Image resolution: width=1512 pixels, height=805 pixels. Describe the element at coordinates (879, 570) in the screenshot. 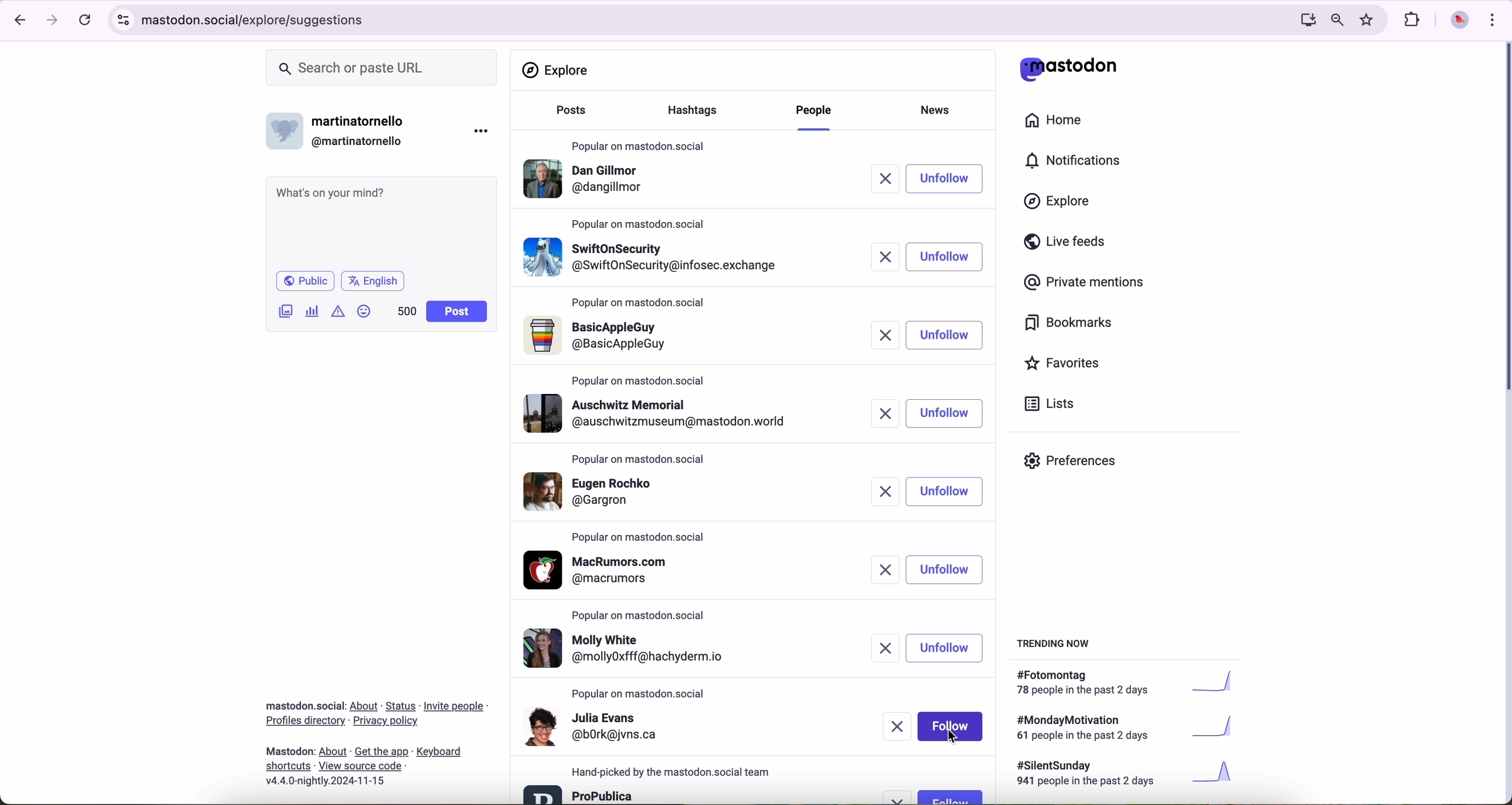

I see `remove` at that location.